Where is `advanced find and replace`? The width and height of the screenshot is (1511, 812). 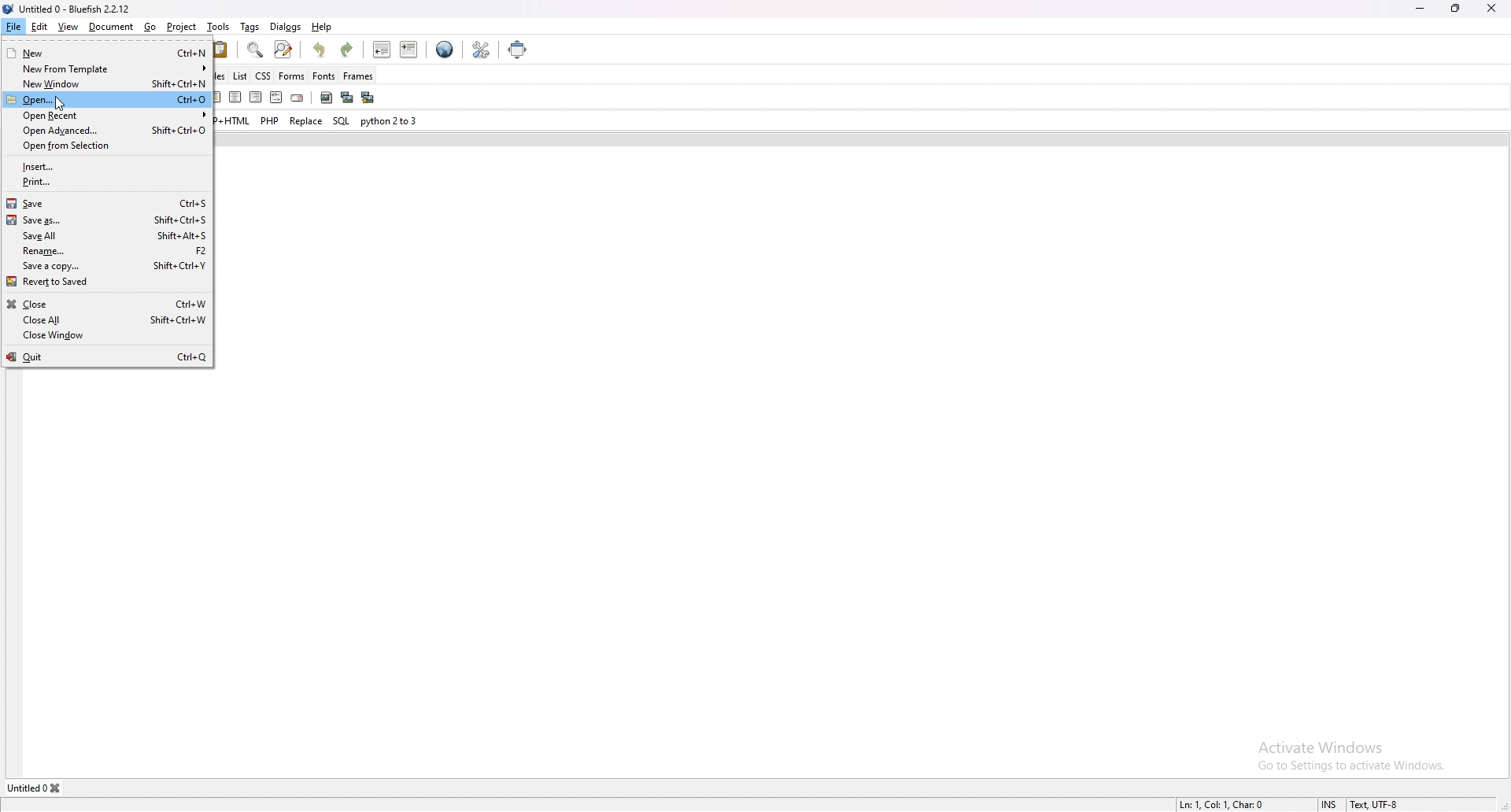
advanced find and replace is located at coordinates (284, 49).